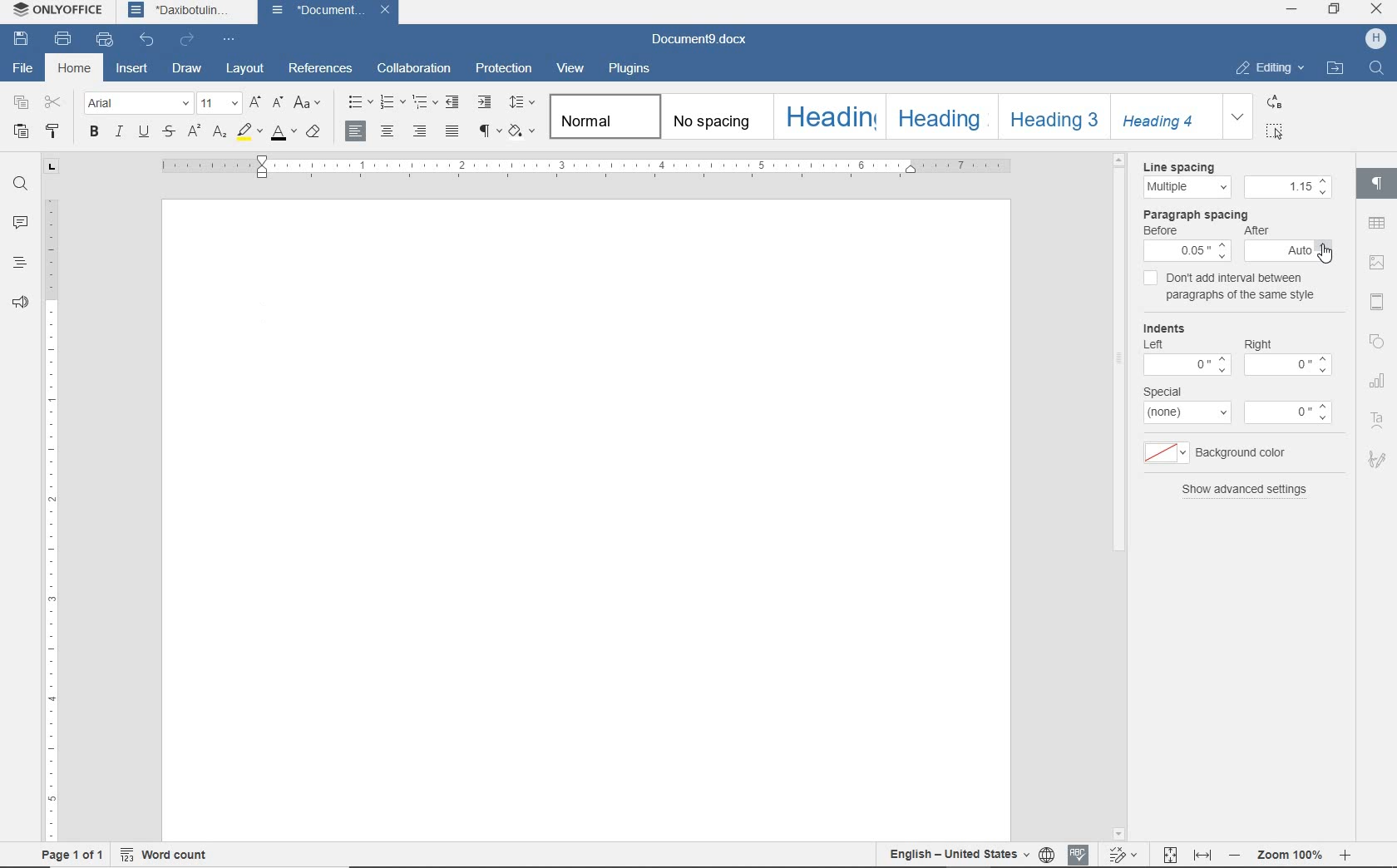 The width and height of the screenshot is (1397, 868). What do you see at coordinates (1378, 421) in the screenshot?
I see `text art` at bounding box center [1378, 421].